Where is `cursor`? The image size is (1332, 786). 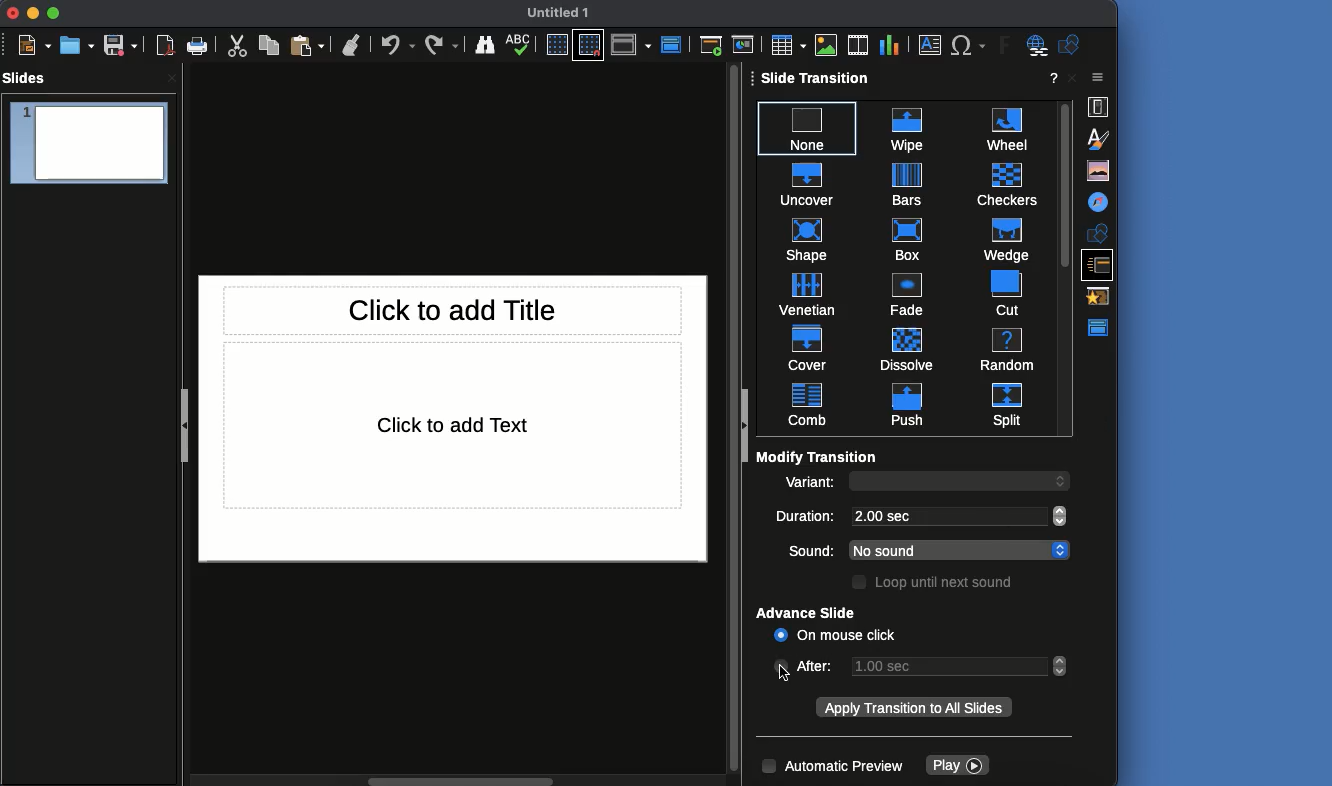
cursor is located at coordinates (787, 673).